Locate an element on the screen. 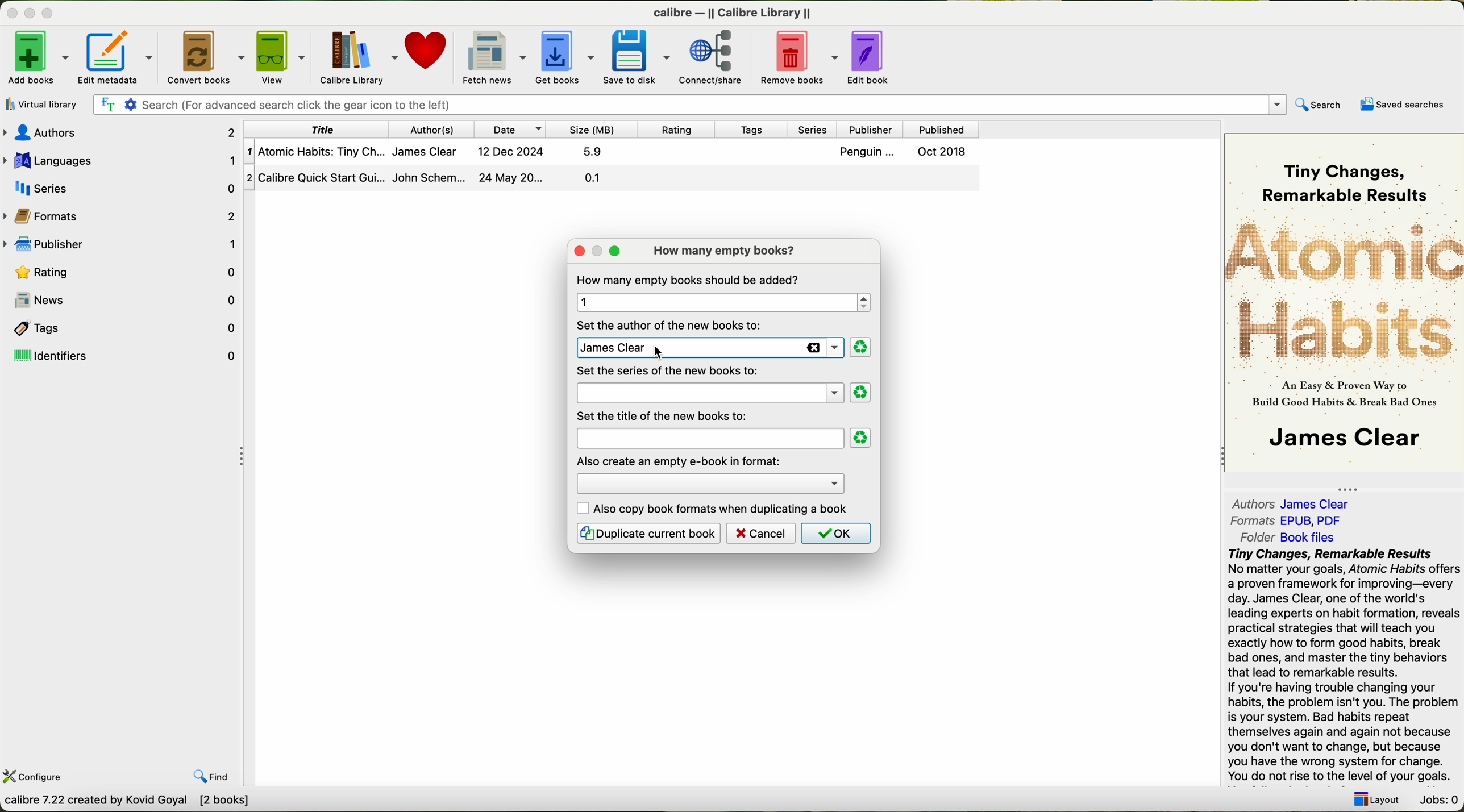 This screenshot has height=812, width=1464. fetch news is located at coordinates (489, 56).